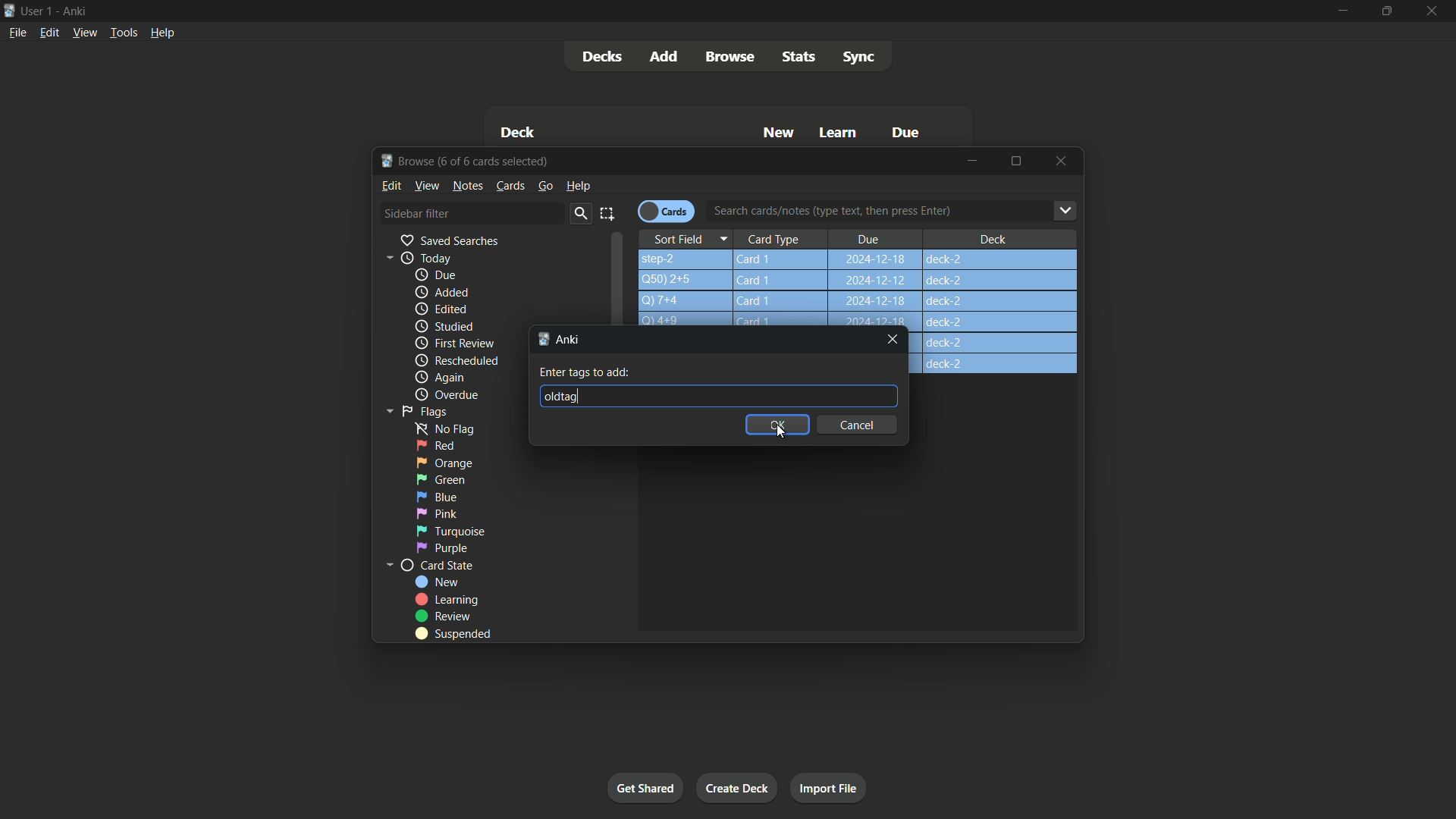  I want to click on Flags, so click(413, 410).